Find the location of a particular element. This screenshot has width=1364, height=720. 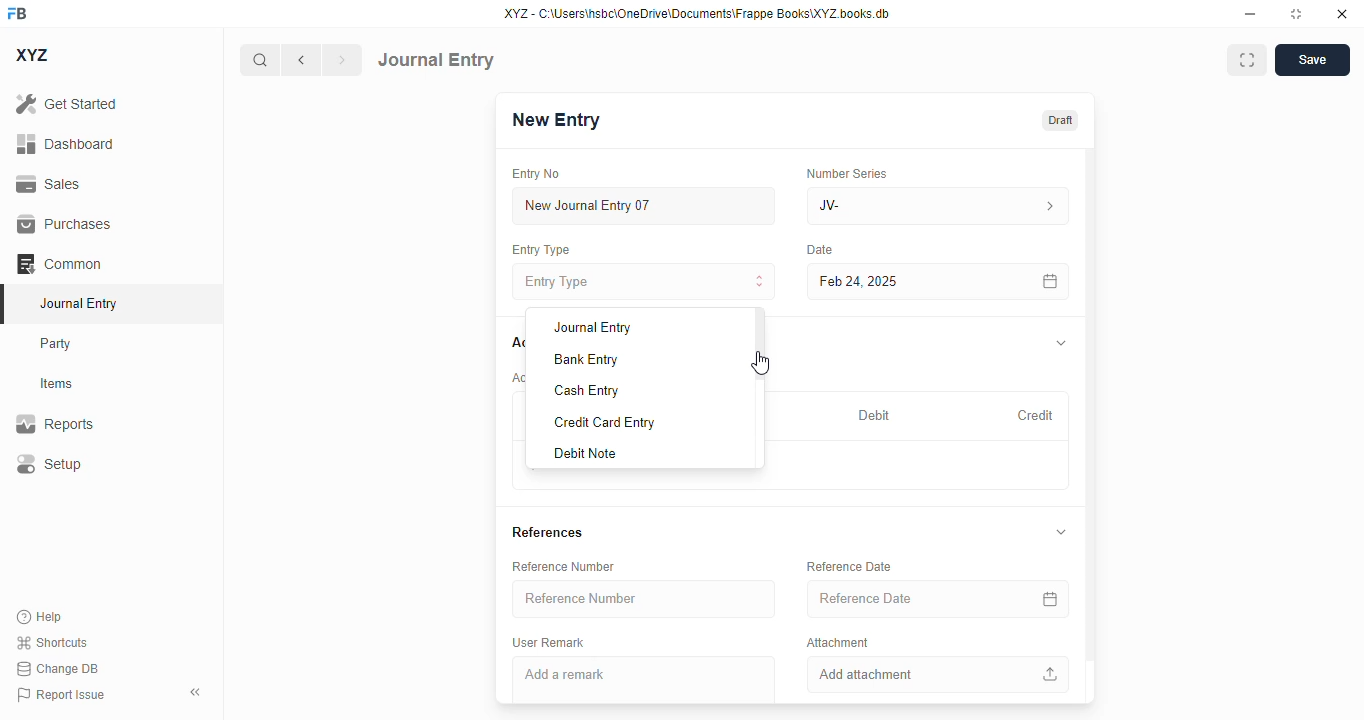

FB - logo is located at coordinates (17, 13).